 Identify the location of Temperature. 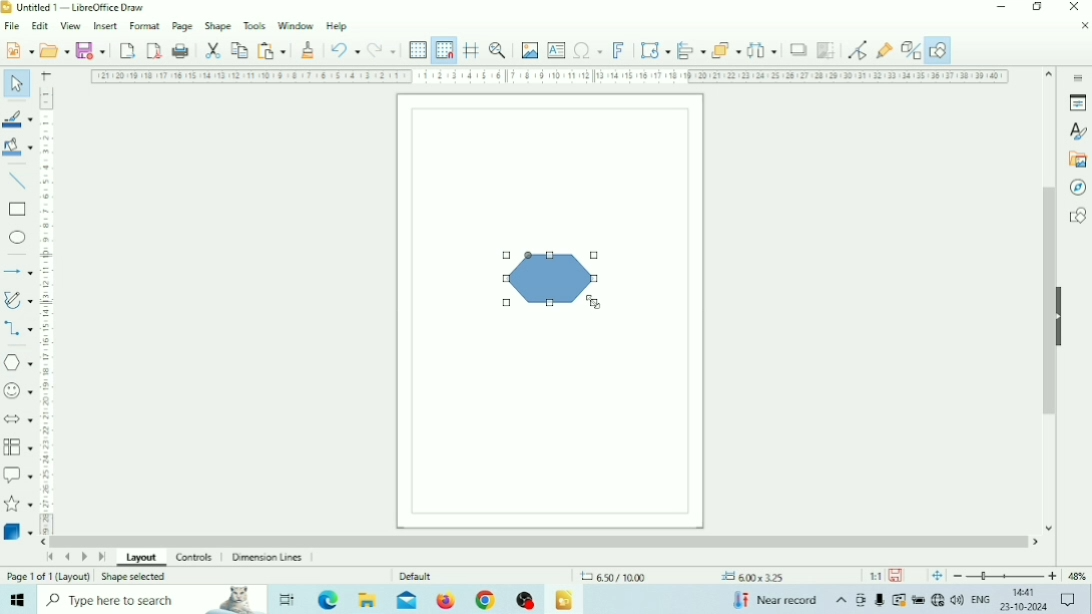
(774, 599).